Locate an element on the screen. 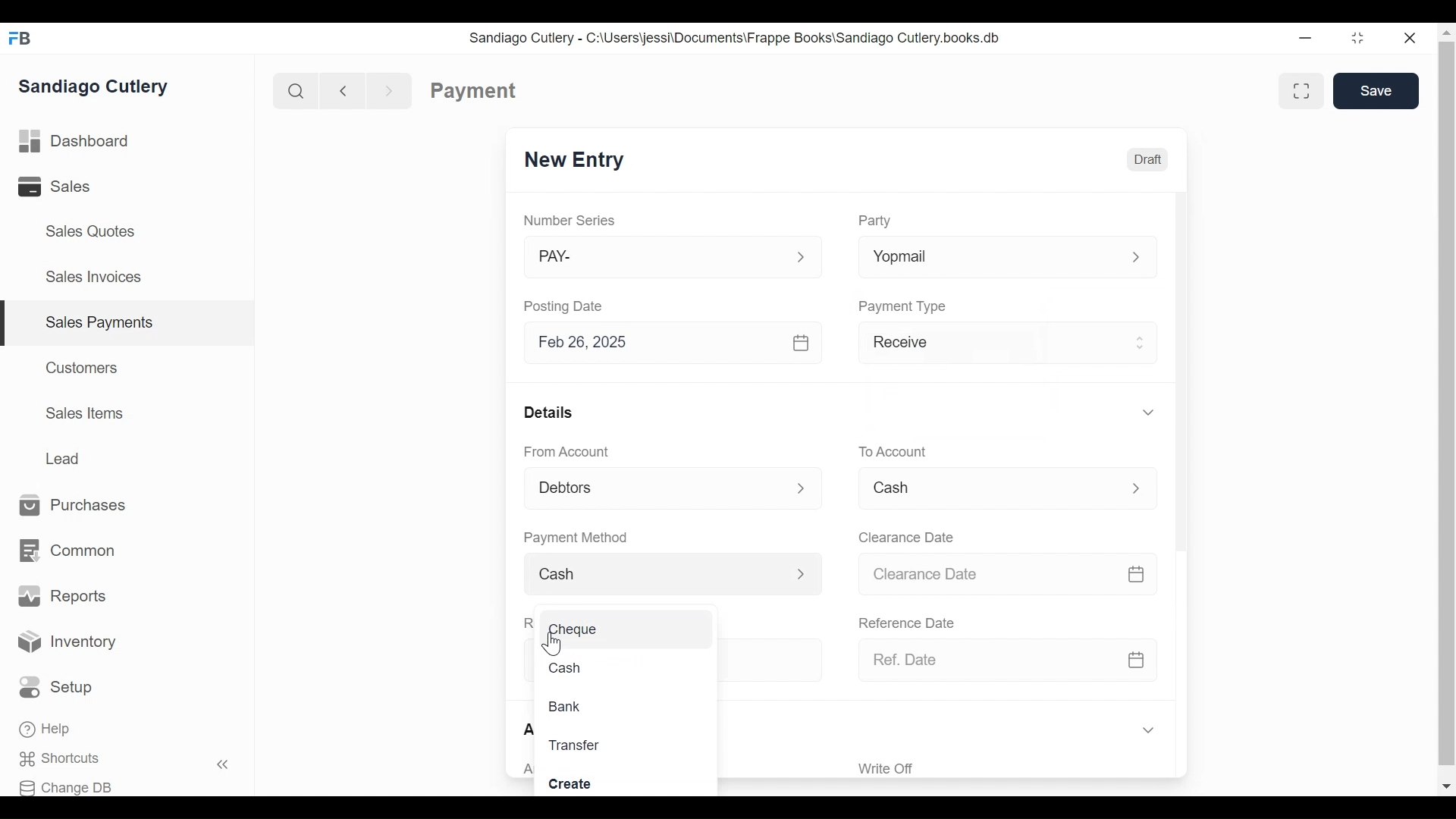 The height and width of the screenshot is (819, 1456). Scroll down is located at coordinates (1445, 785).